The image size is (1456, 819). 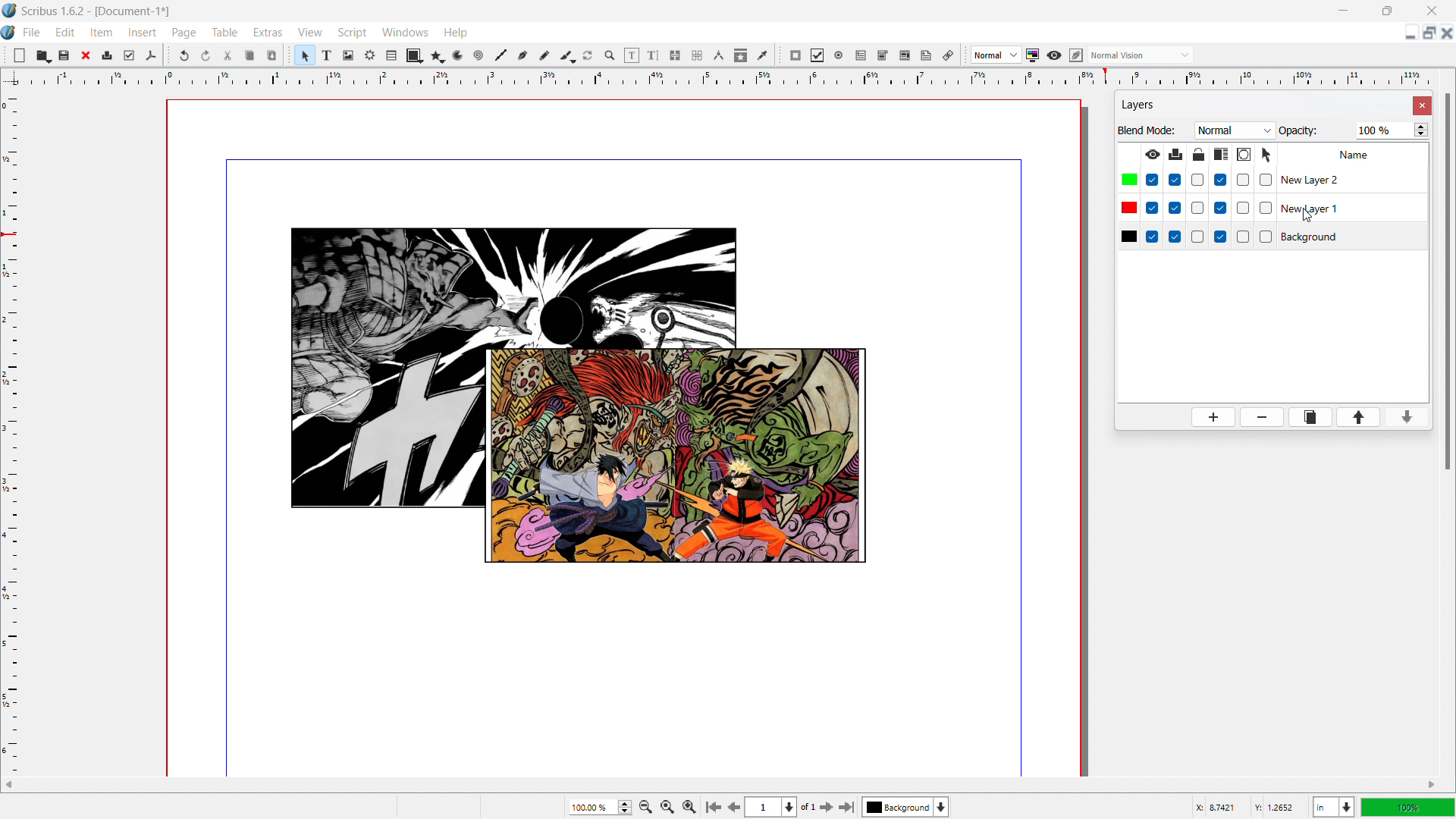 I want to click on shape, so click(x=414, y=55).